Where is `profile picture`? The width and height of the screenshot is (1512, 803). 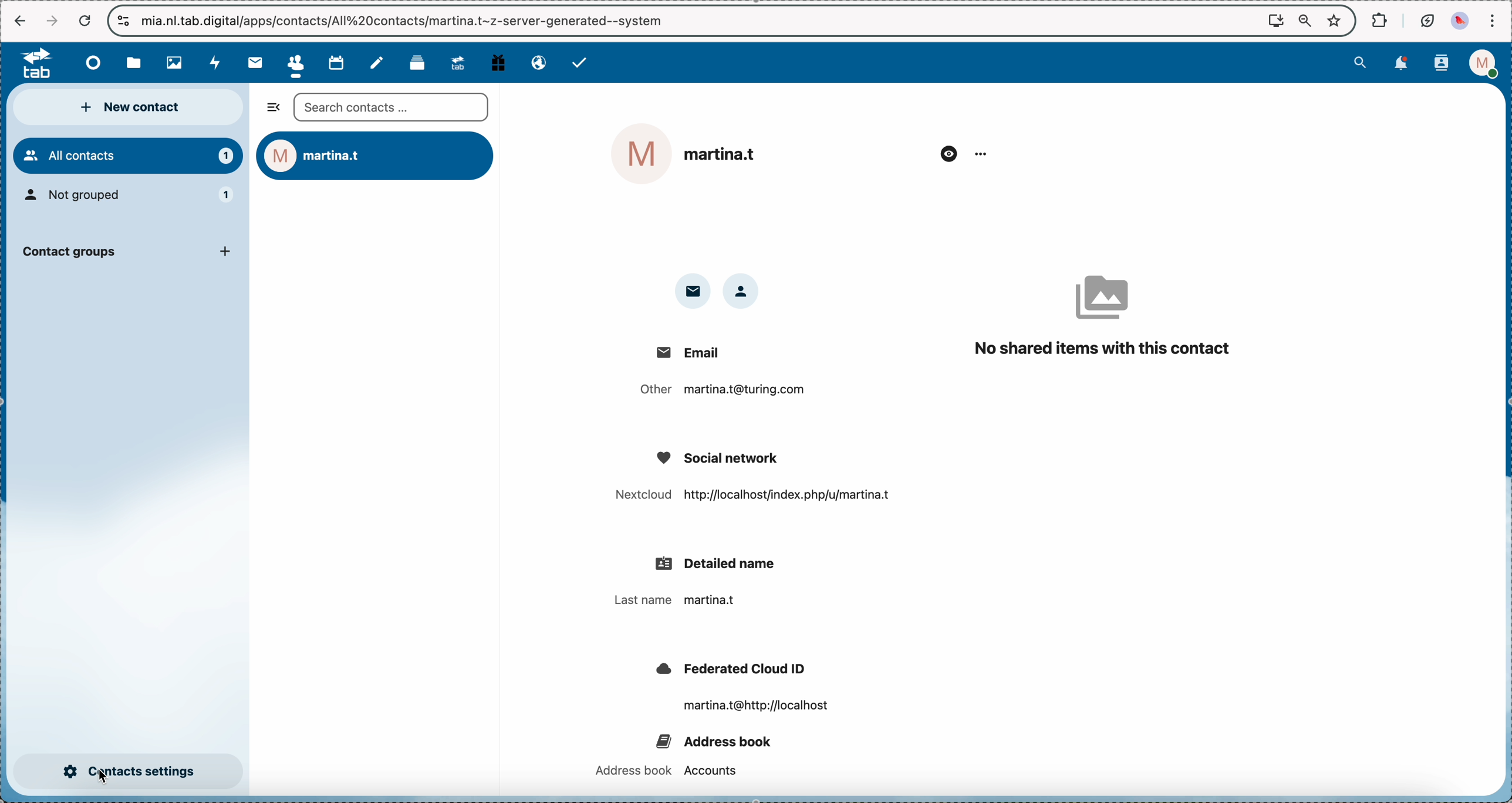
profile picture is located at coordinates (1460, 20).